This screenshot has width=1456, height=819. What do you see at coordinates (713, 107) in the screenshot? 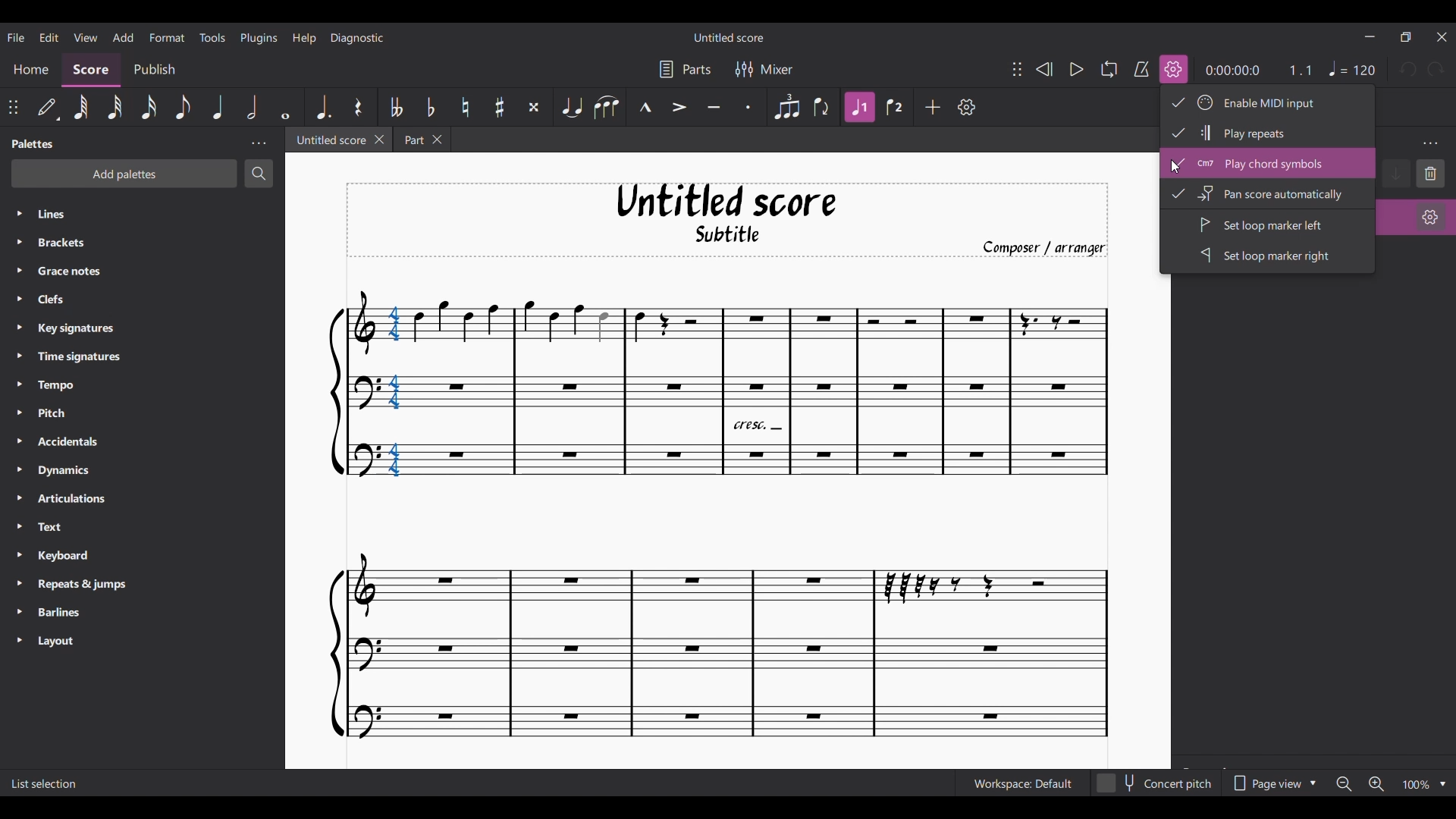
I see `Tenuto` at bounding box center [713, 107].